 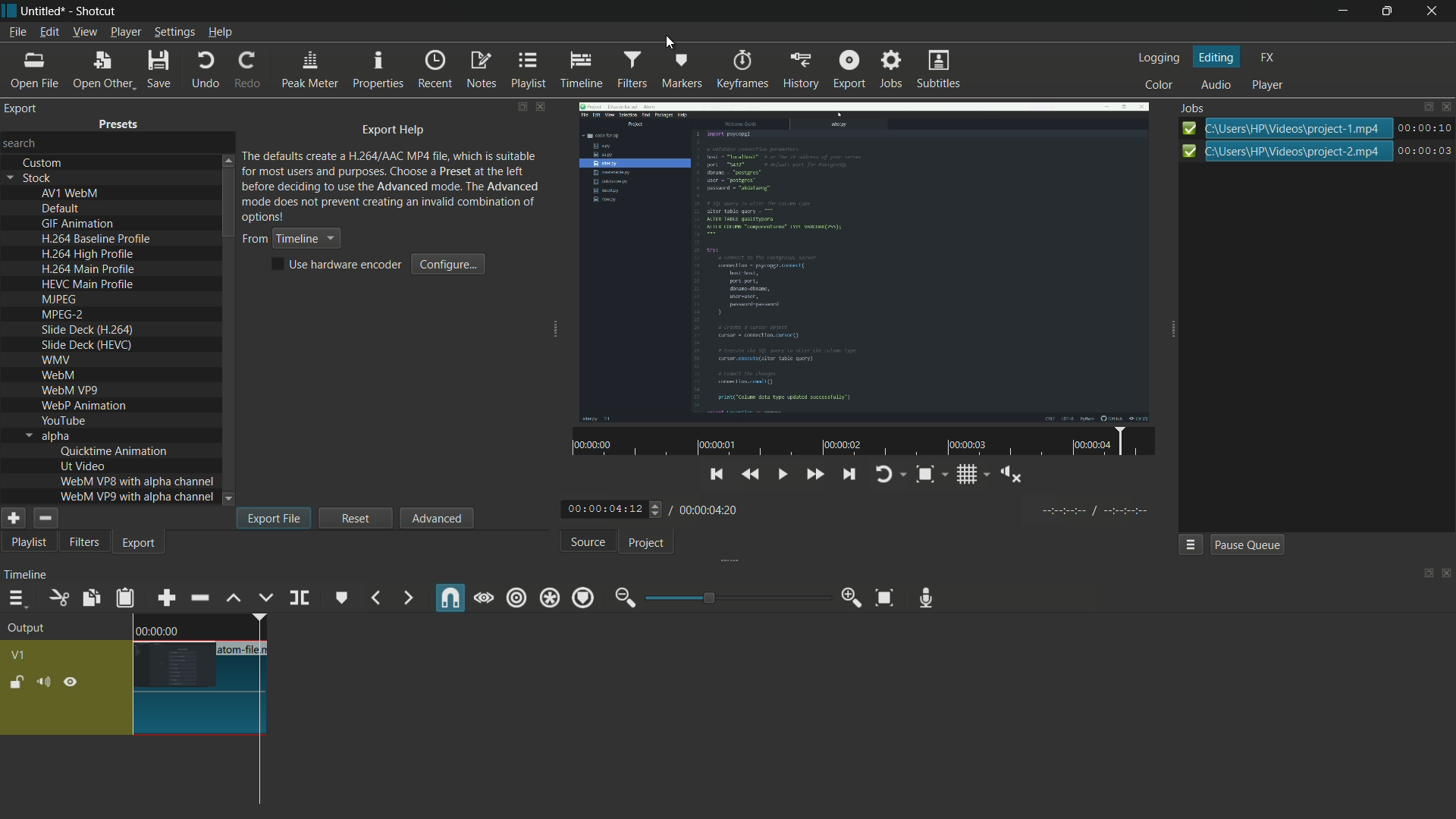 What do you see at coordinates (1298, 127) in the screenshot?
I see `progress bar` at bounding box center [1298, 127].